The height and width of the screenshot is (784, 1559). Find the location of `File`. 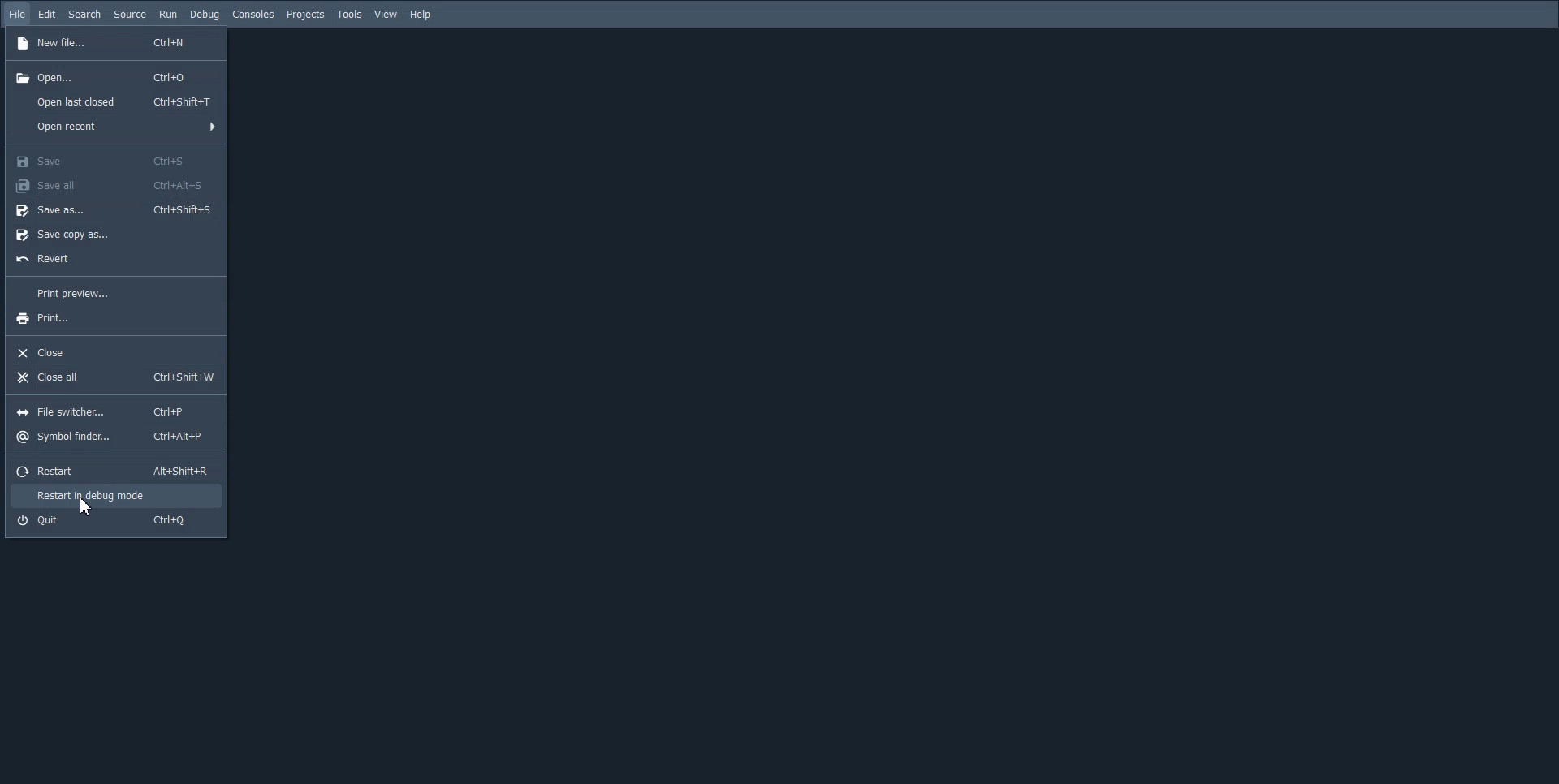

File is located at coordinates (18, 15).